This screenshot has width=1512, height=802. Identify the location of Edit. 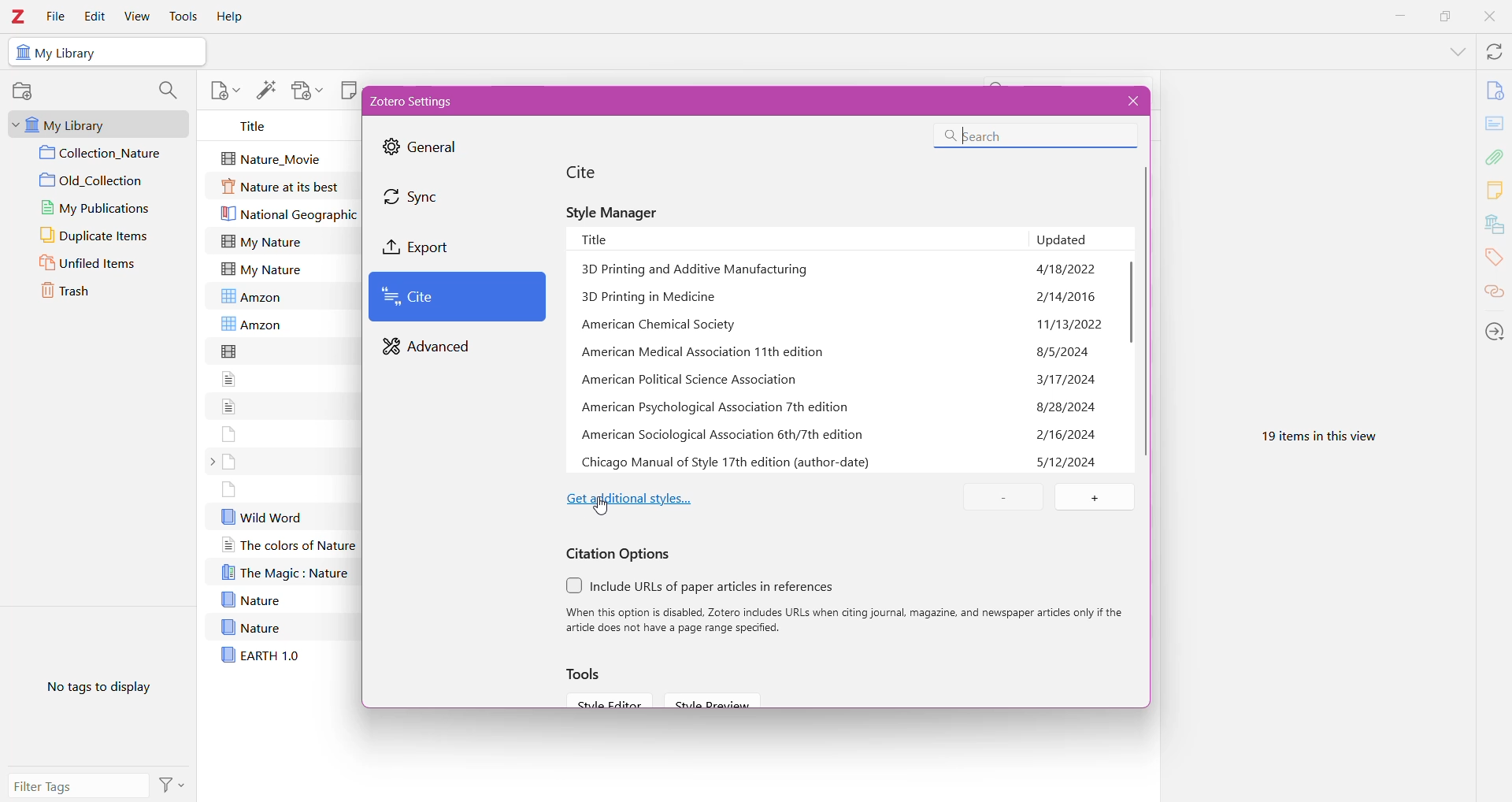
(94, 17).